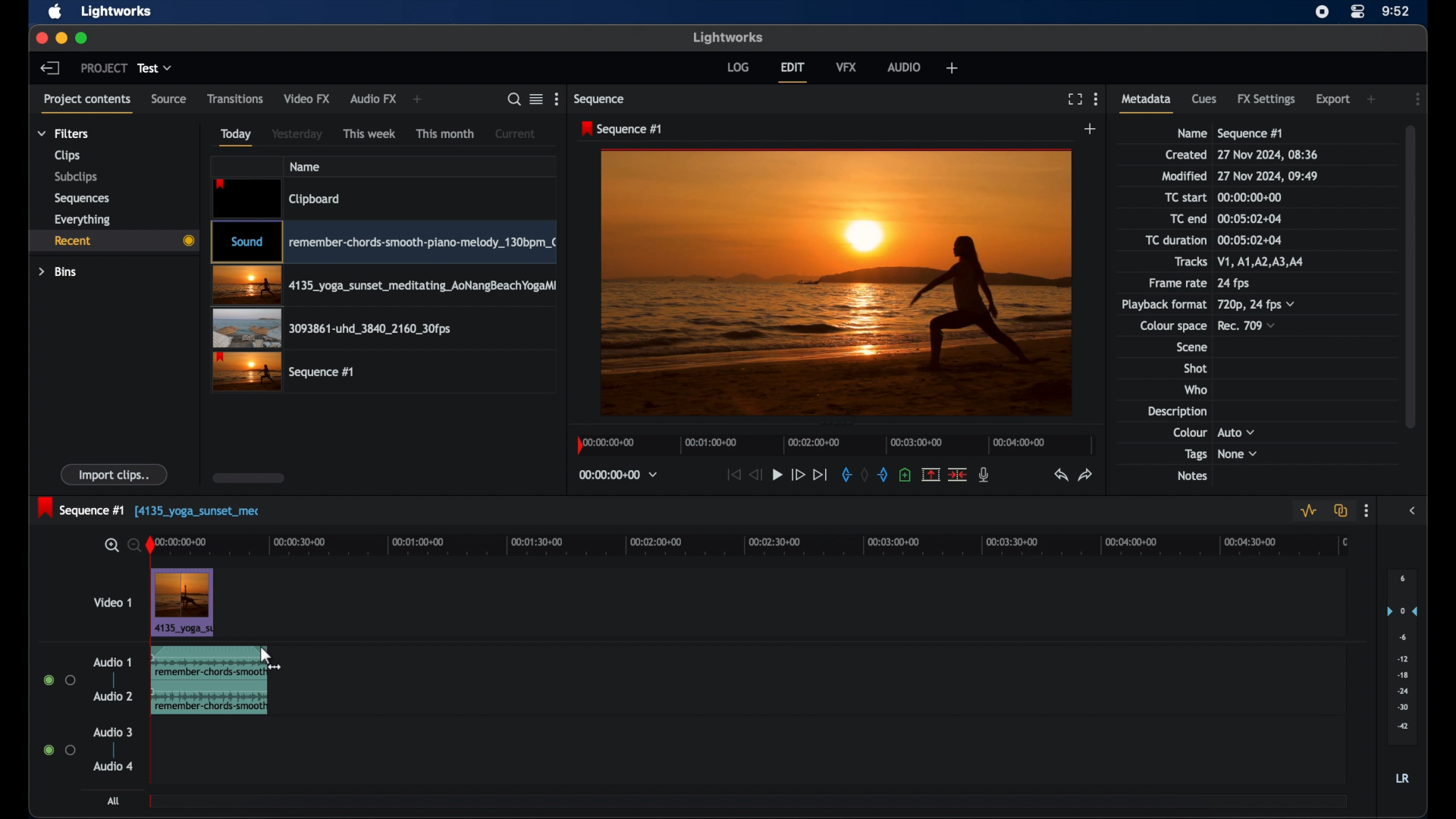 This screenshot has height=819, width=1456. Describe the element at coordinates (1073, 99) in the screenshot. I see `full screen` at that location.